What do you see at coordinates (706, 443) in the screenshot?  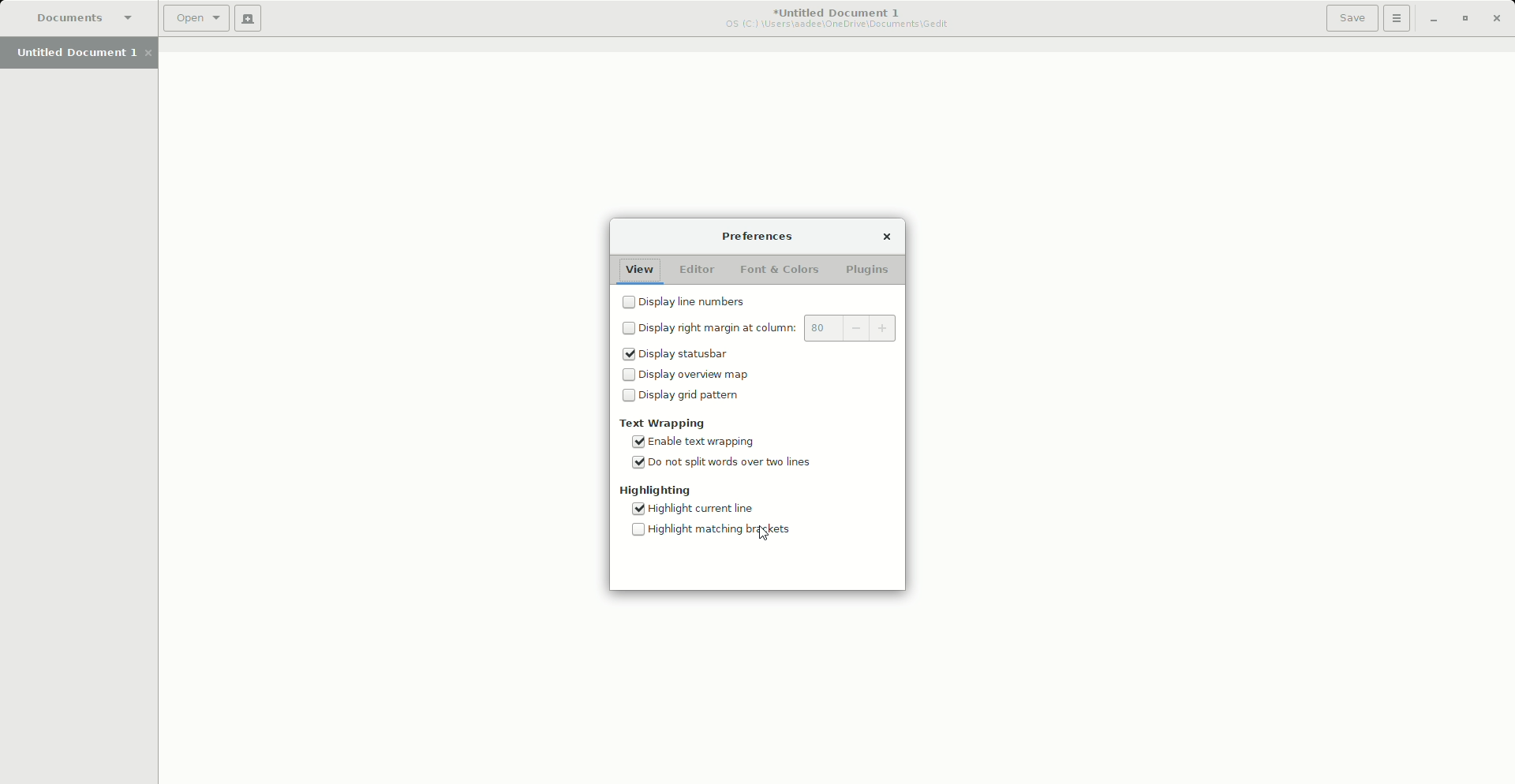 I see `Enable text wrapping` at bounding box center [706, 443].